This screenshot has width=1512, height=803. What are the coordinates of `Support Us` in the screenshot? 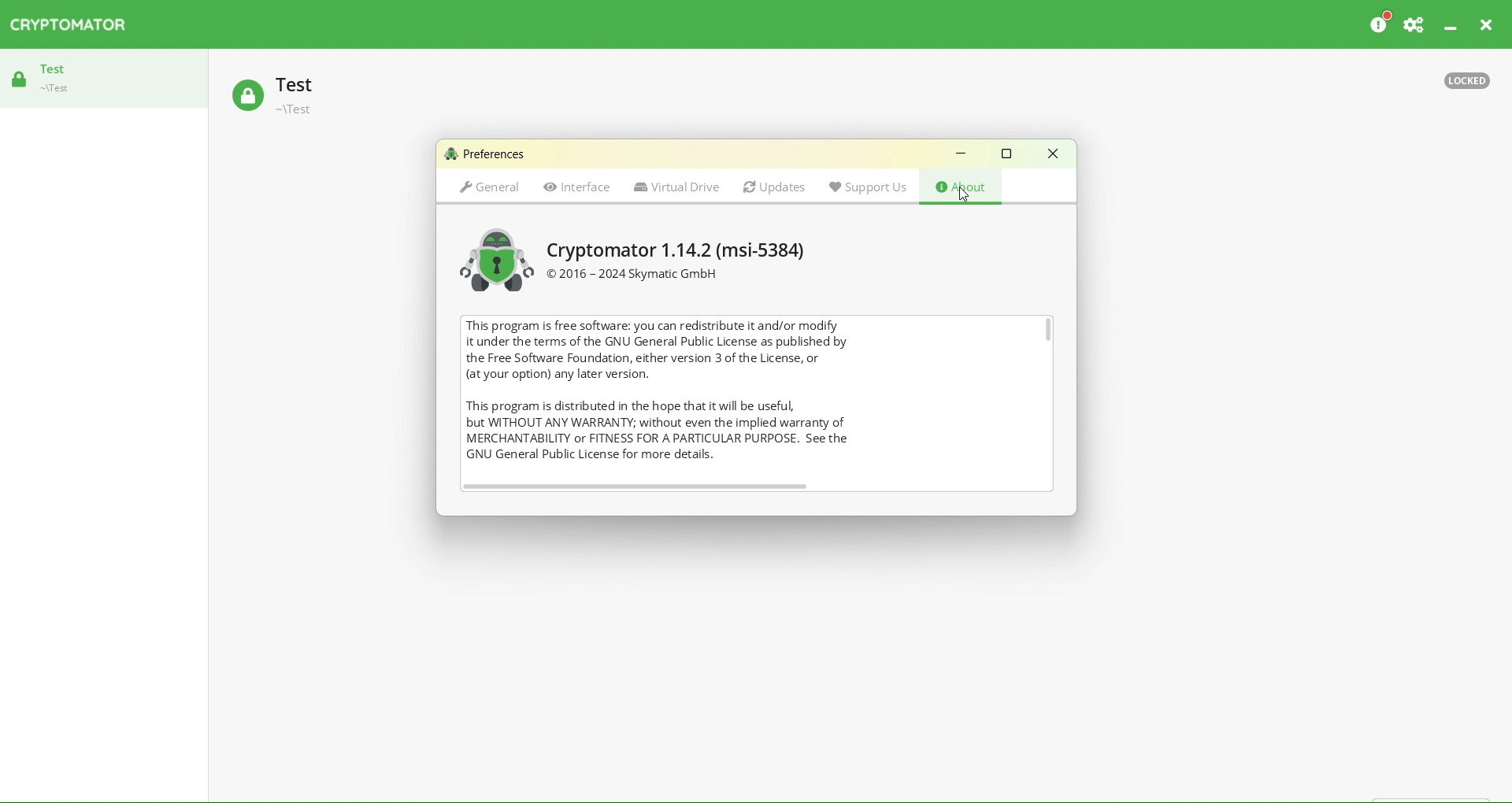 It's located at (872, 188).